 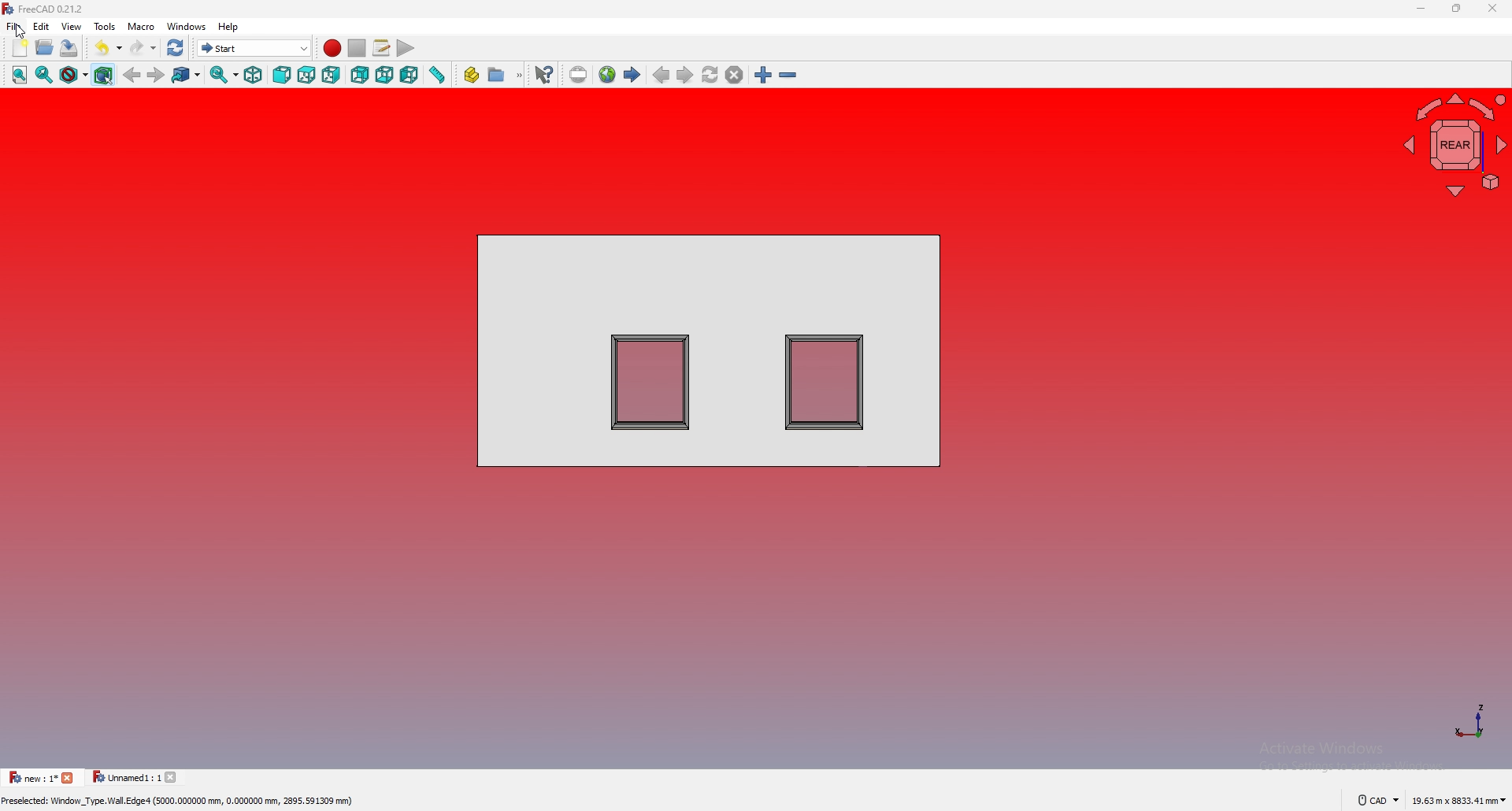 I want to click on axis, so click(x=1470, y=720).